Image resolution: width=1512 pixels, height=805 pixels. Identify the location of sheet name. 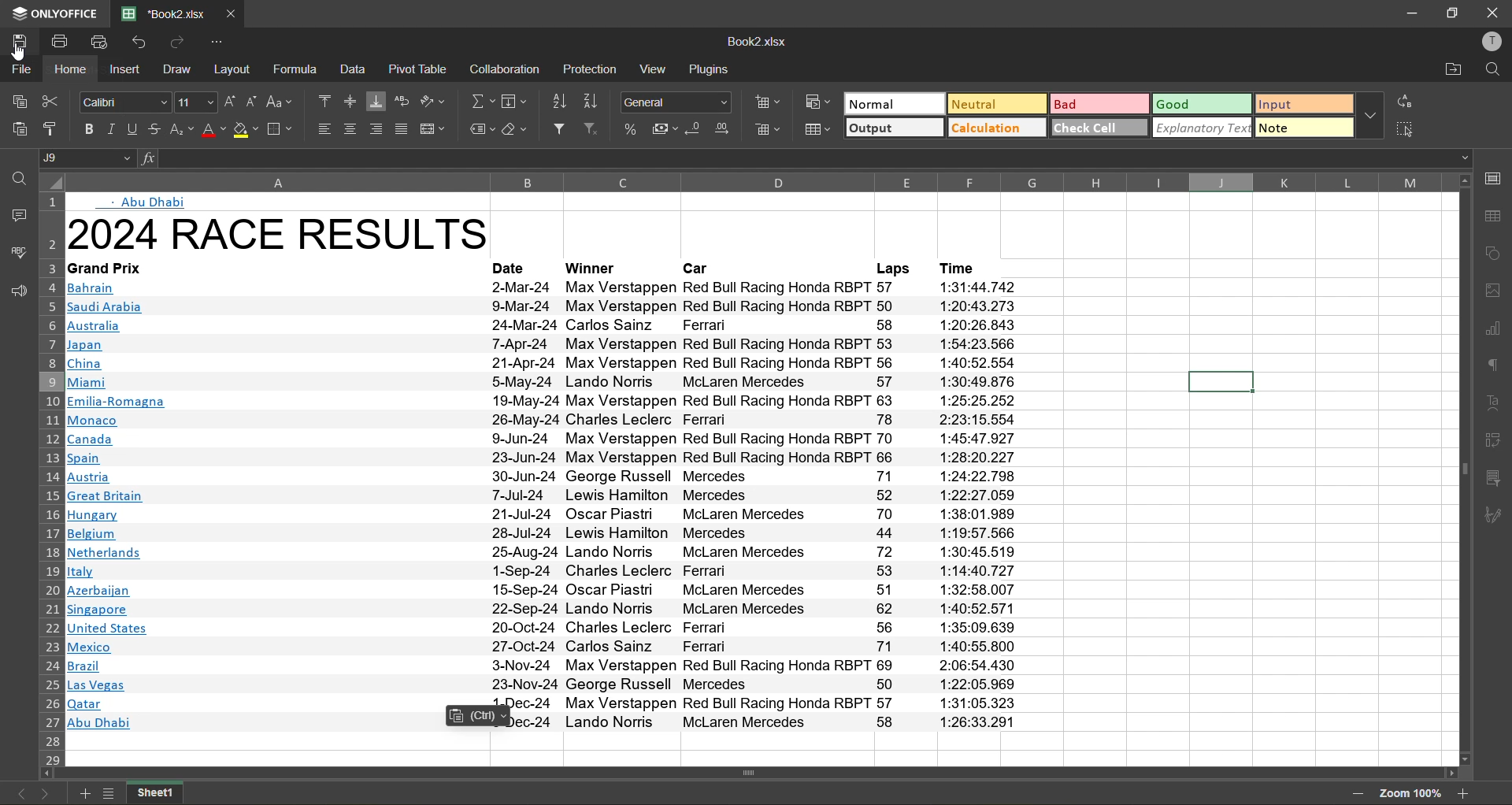
(154, 793).